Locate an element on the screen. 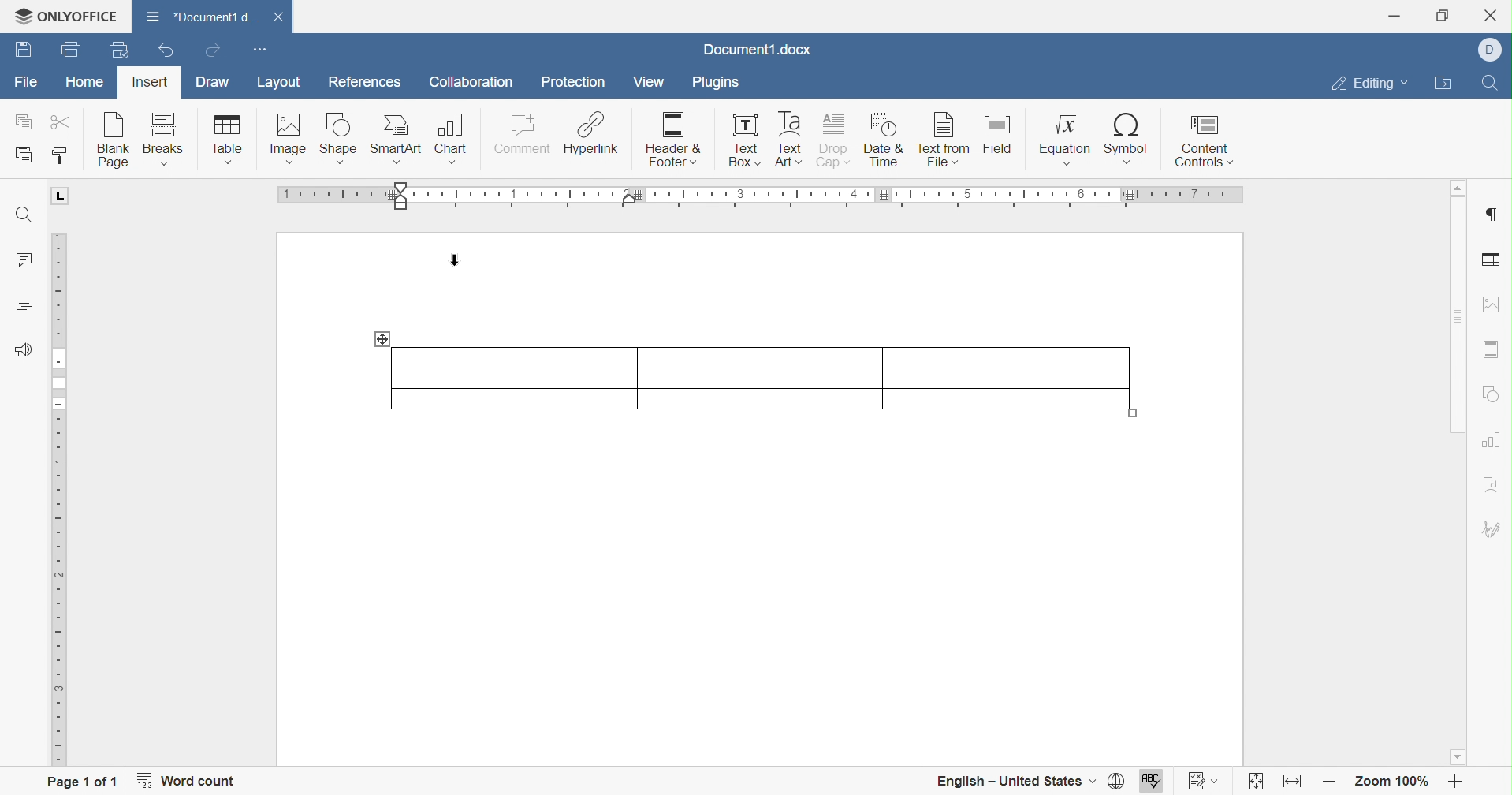 The width and height of the screenshot is (1512, 795). Insert image is located at coordinates (287, 136).